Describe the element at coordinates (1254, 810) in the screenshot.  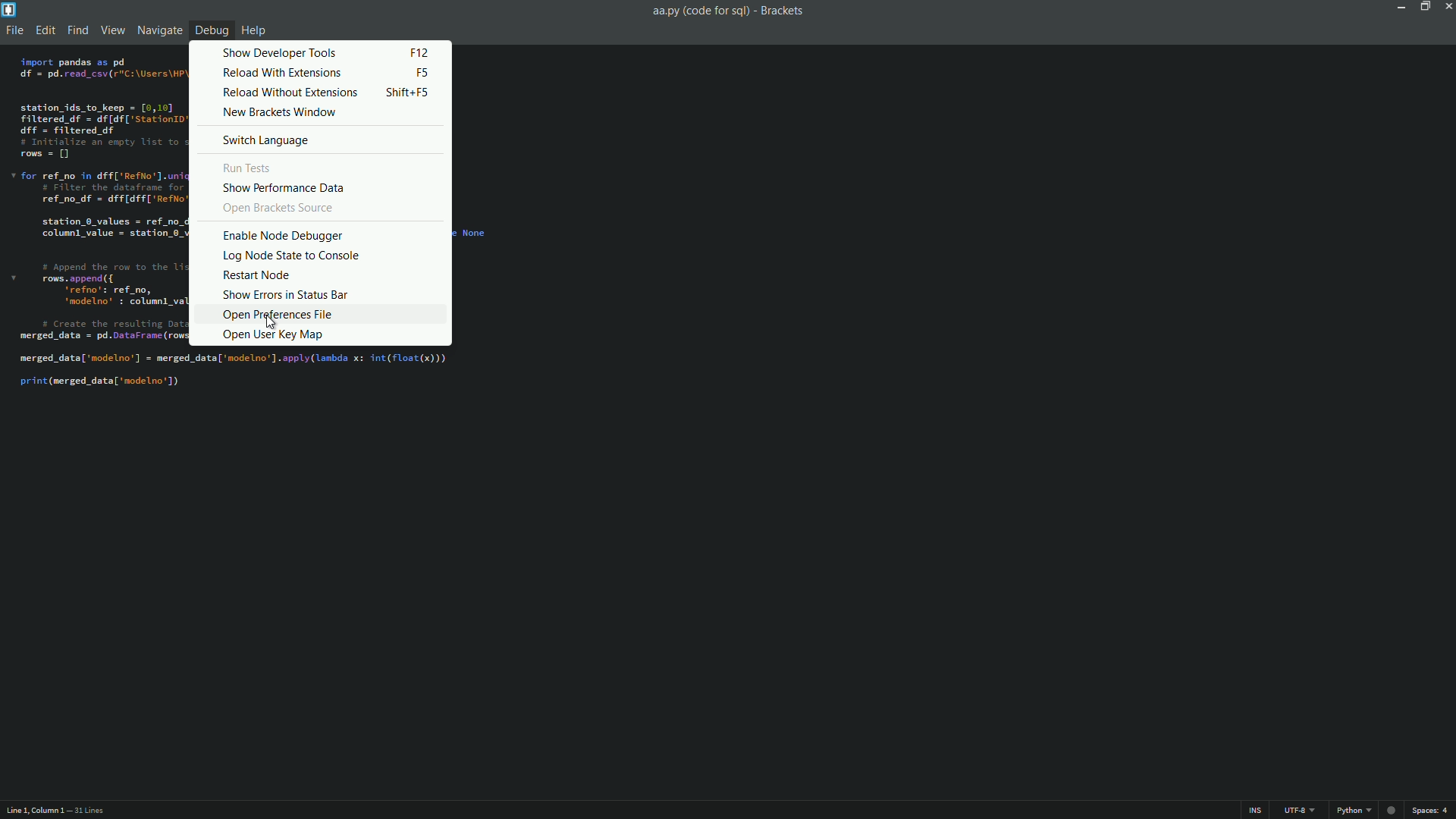
I see `INS` at that location.